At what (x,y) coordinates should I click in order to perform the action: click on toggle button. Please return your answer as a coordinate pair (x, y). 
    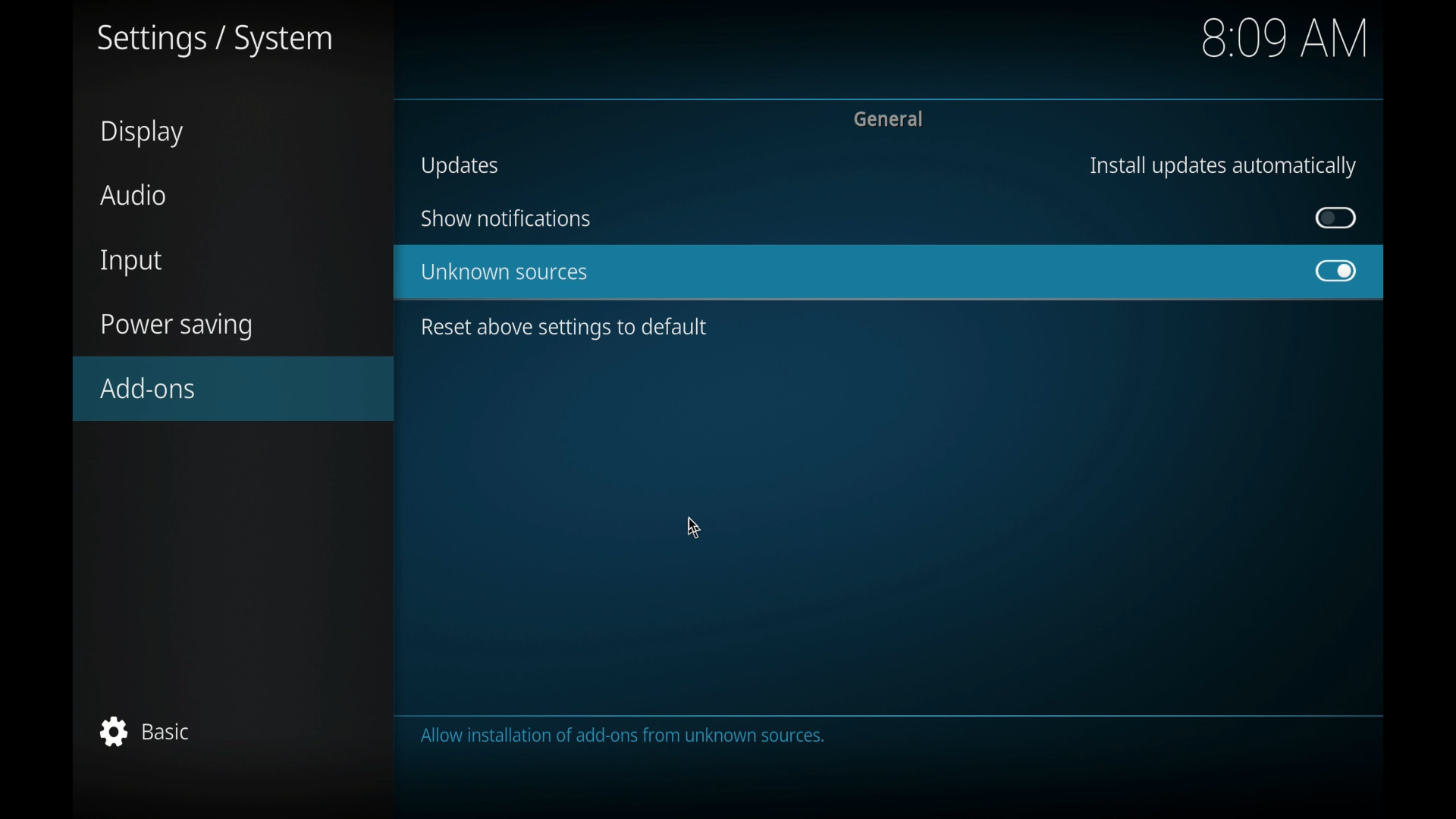
    Looking at the image, I should click on (1336, 218).